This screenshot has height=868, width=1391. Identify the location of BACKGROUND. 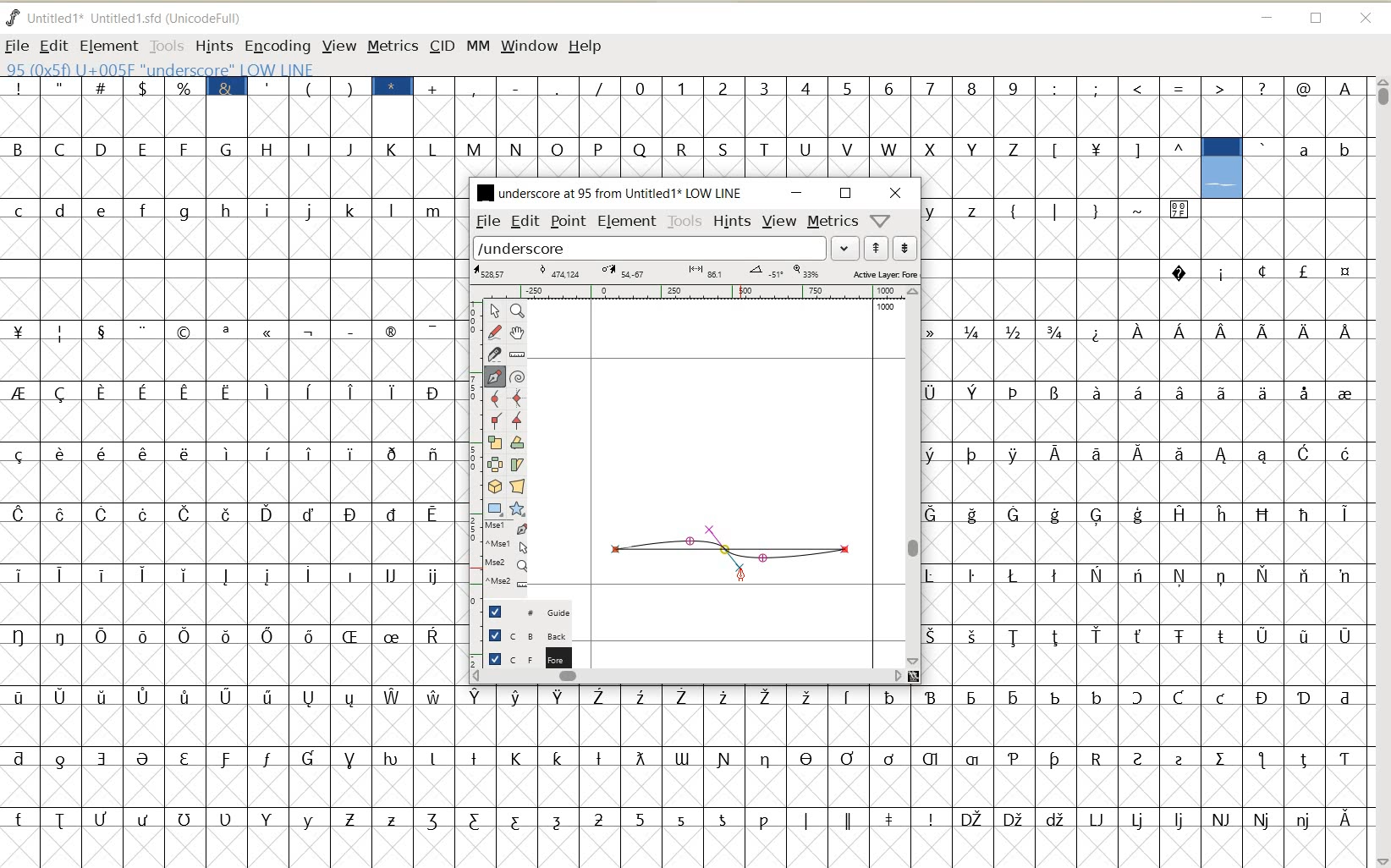
(522, 635).